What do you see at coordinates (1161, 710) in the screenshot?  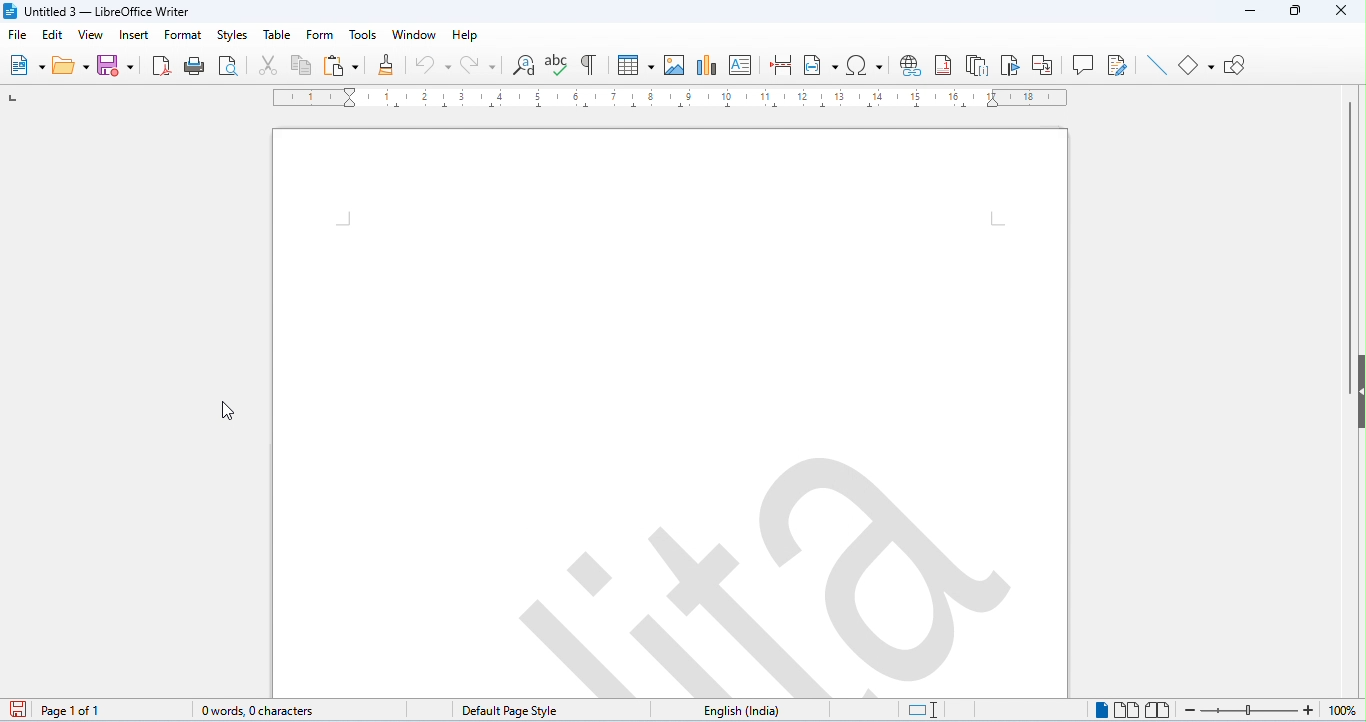 I see `bookview` at bounding box center [1161, 710].